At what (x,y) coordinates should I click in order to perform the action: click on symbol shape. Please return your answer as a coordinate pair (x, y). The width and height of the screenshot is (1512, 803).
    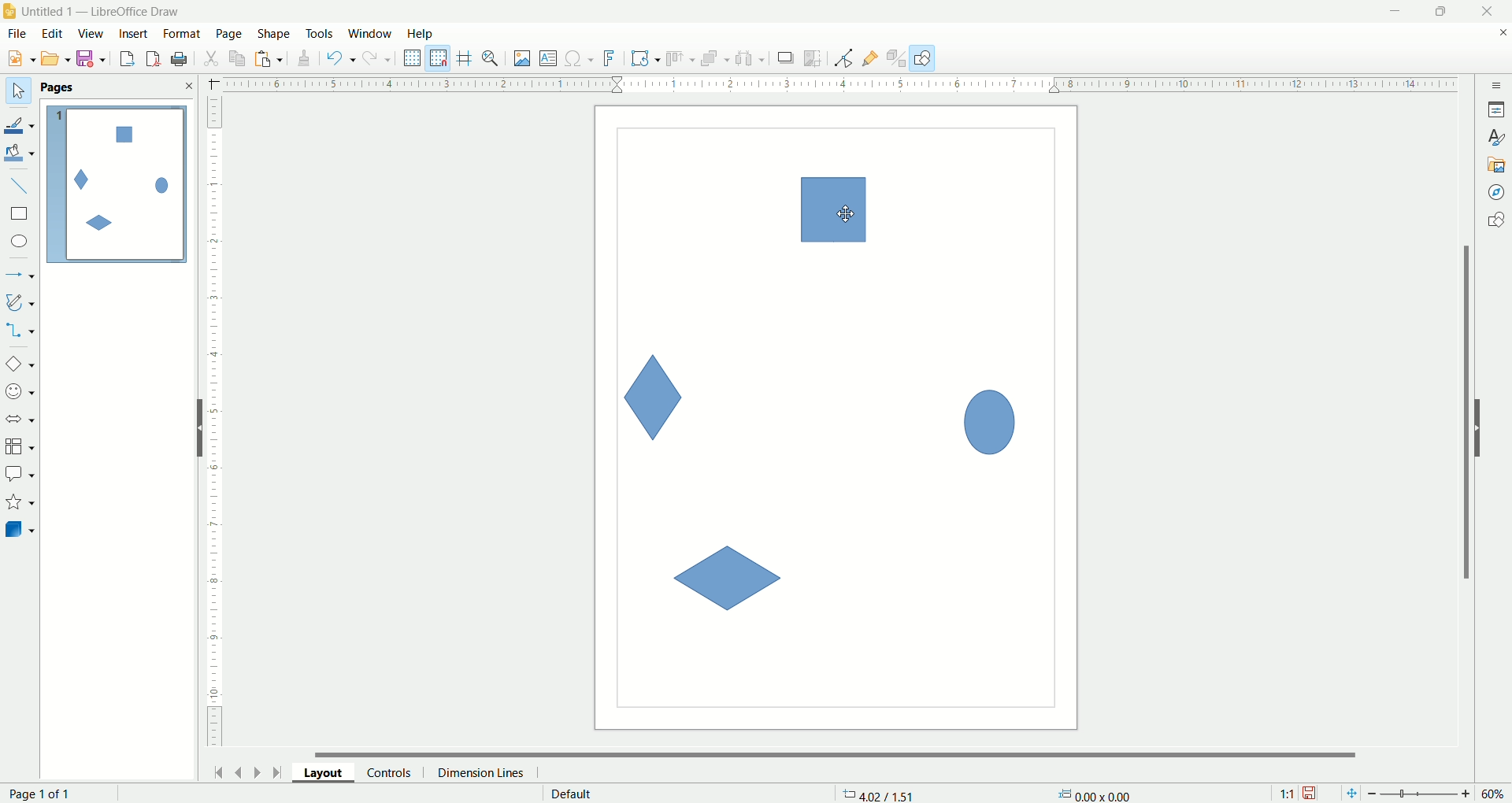
    Looking at the image, I should click on (22, 393).